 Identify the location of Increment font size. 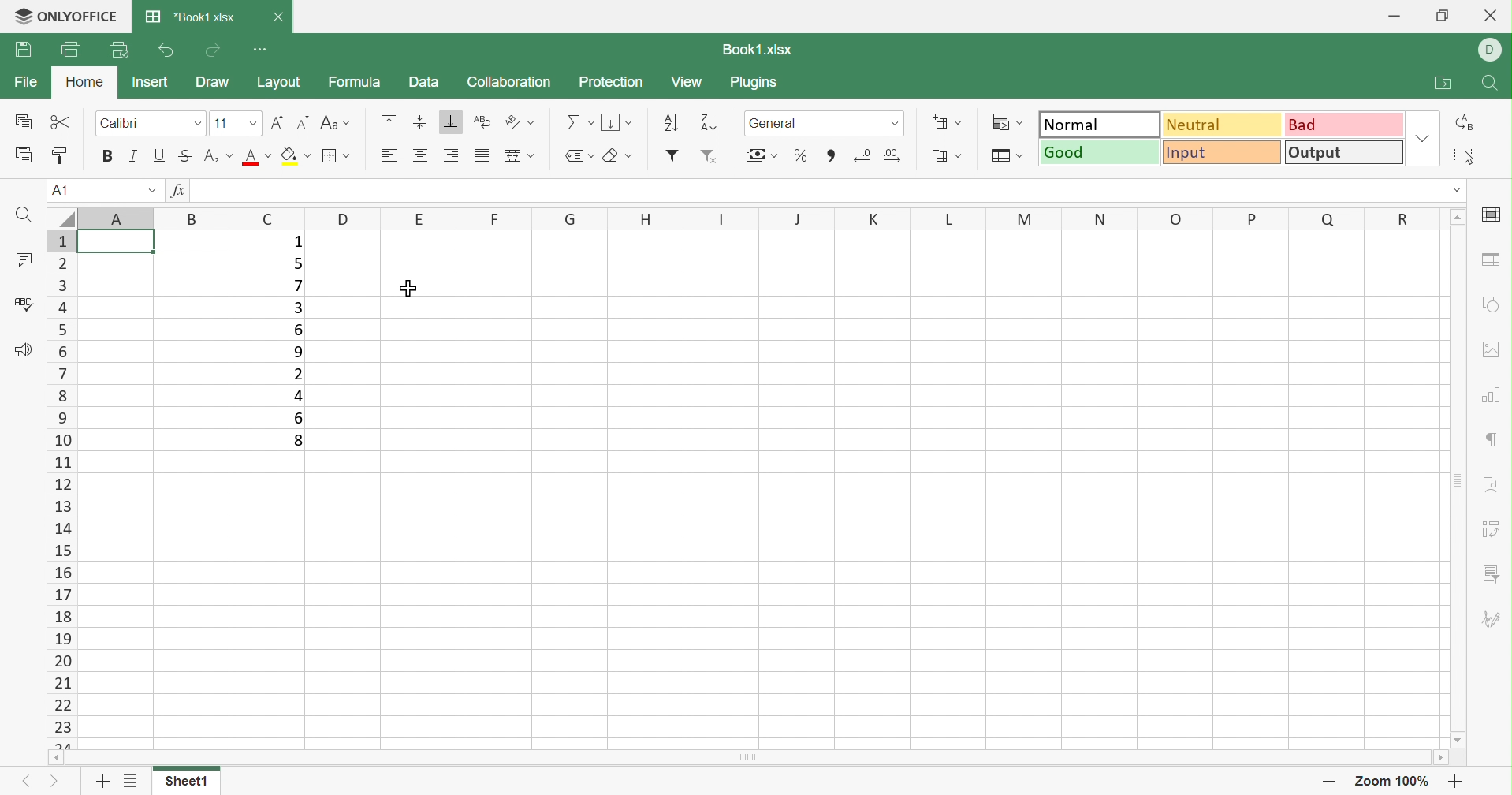
(277, 123).